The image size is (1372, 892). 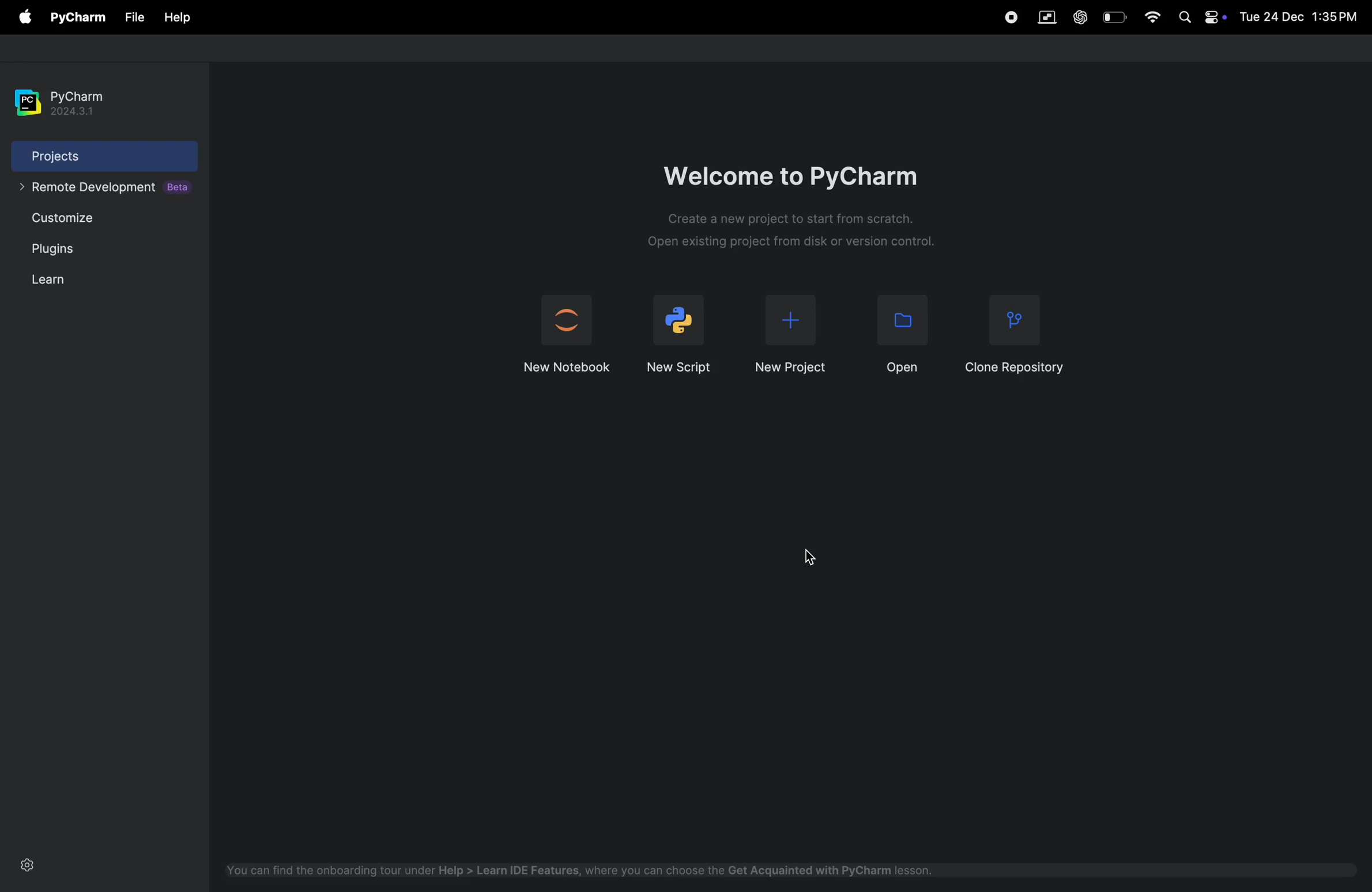 What do you see at coordinates (569, 336) in the screenshot?
I see `jupyter notebook` at bounding box center [569, 336].